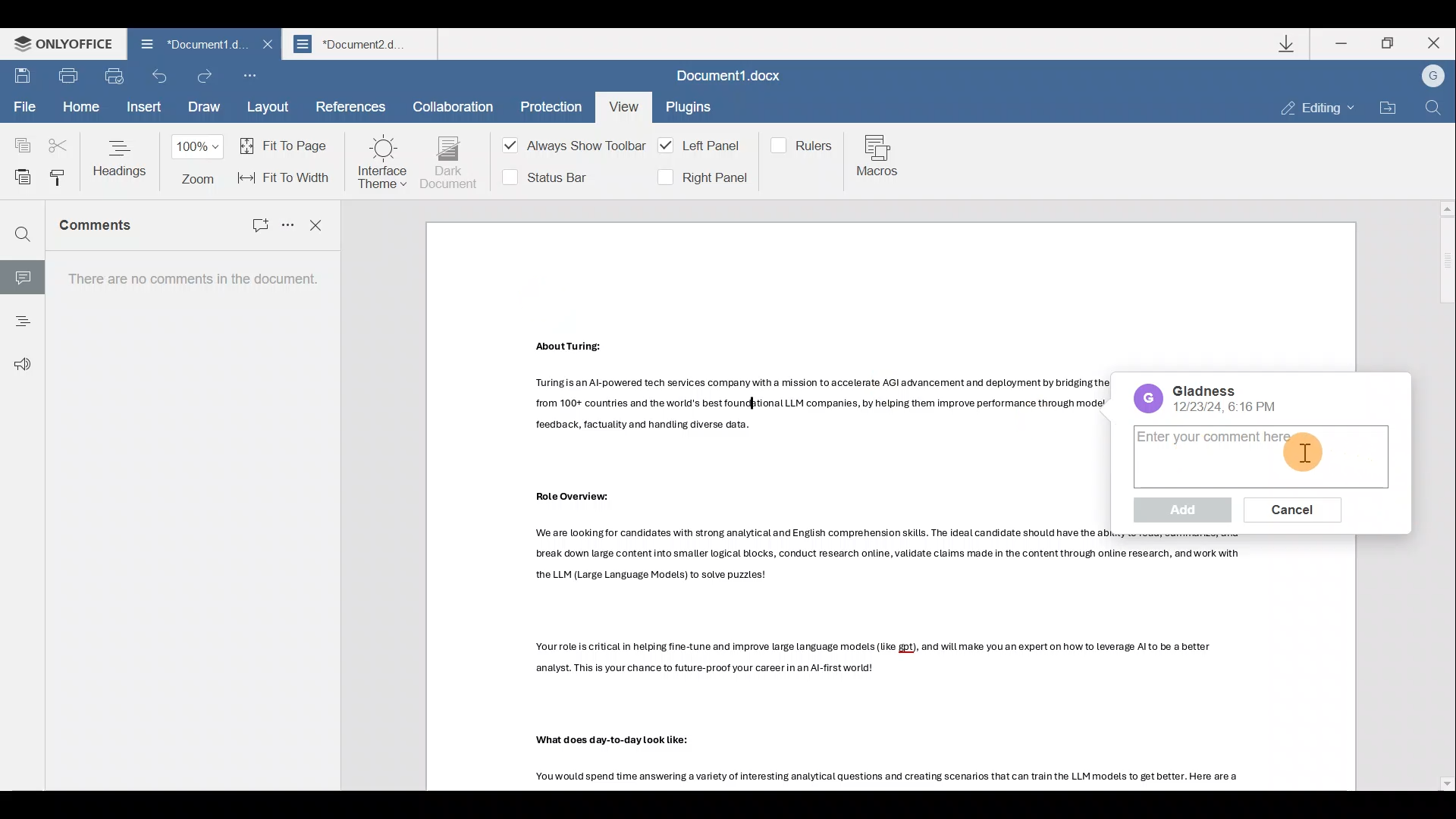 This screenshot has width=1456, height=819. Describe the element at coordinates (350, 108) in the screenshot. I see `References` at that location.